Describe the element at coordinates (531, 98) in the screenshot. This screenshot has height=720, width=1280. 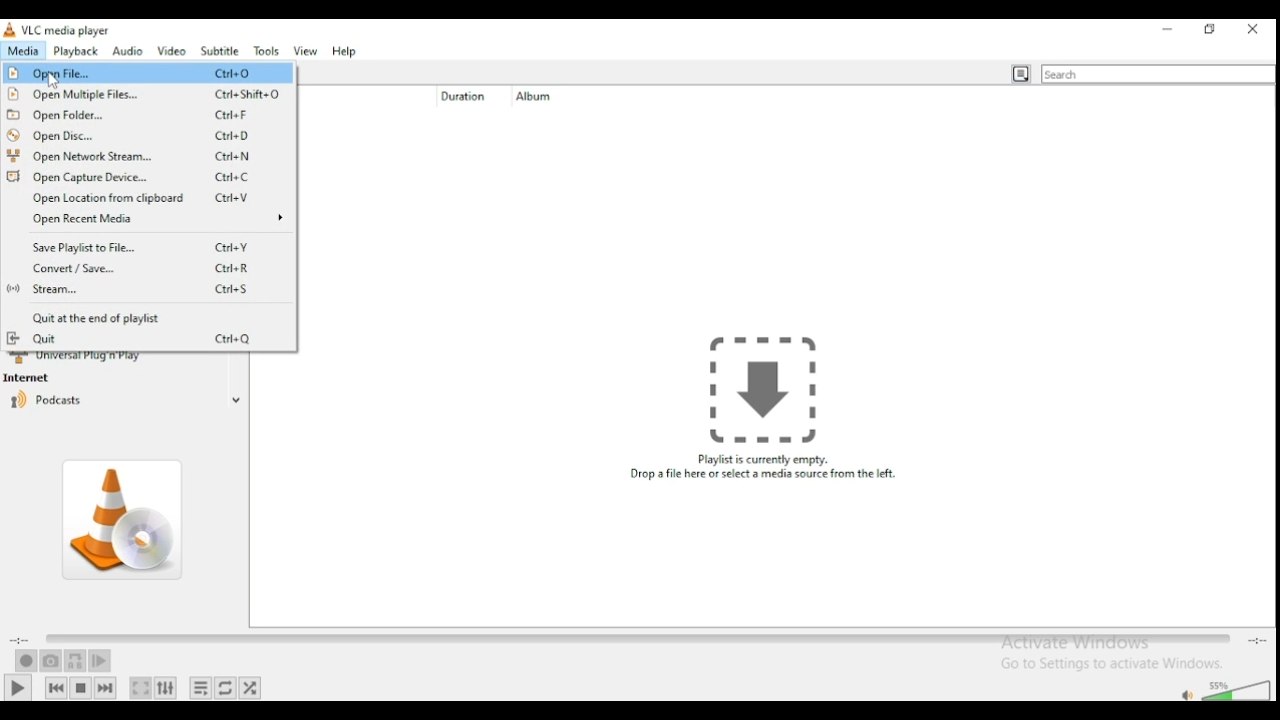
I see `album` at that location.